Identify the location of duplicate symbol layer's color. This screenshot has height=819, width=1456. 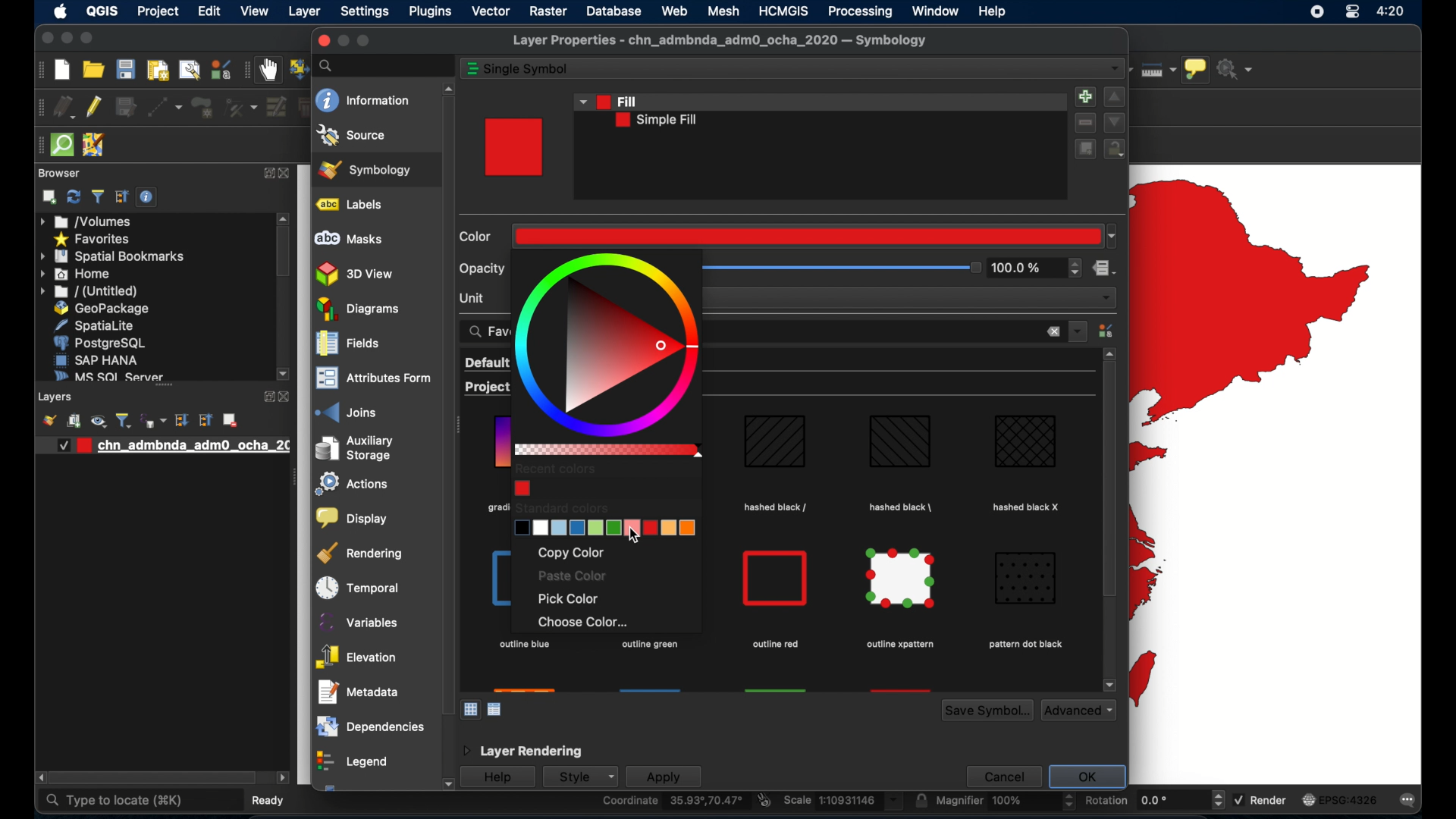
(1084, 149).